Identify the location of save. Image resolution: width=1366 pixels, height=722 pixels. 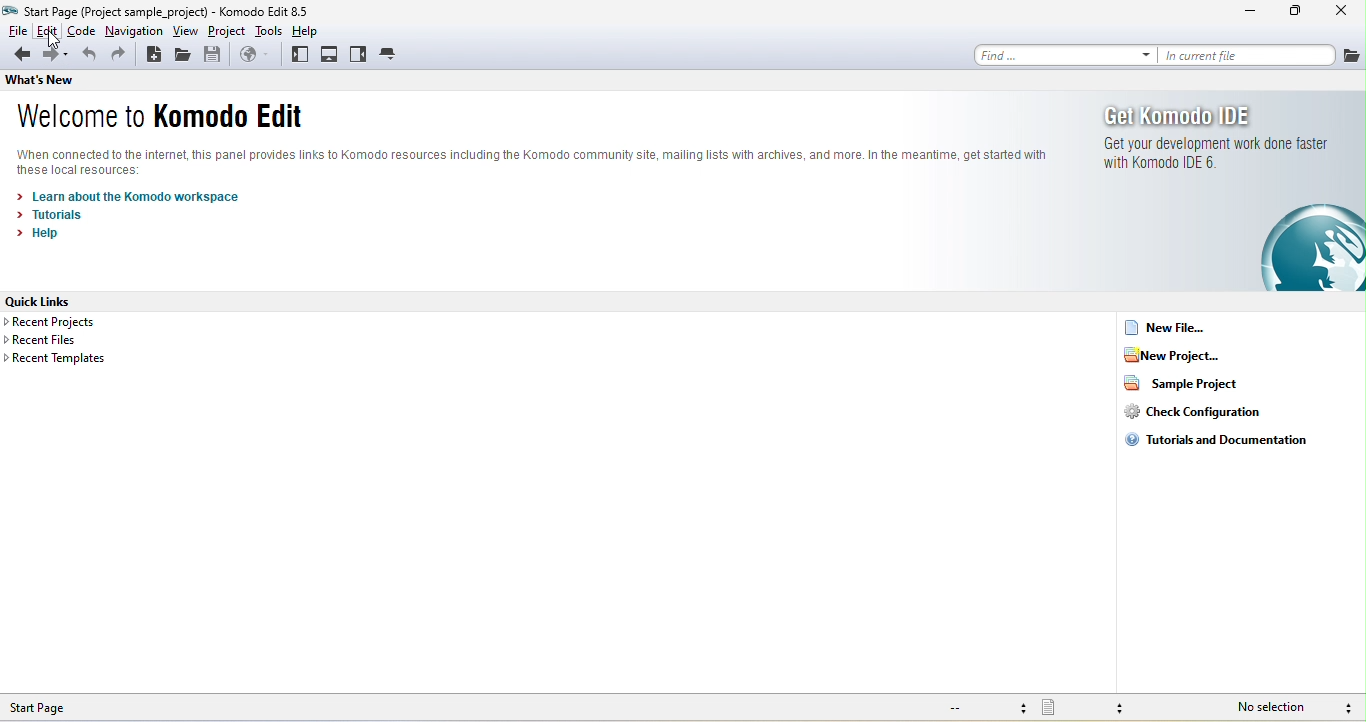
(214, 56).